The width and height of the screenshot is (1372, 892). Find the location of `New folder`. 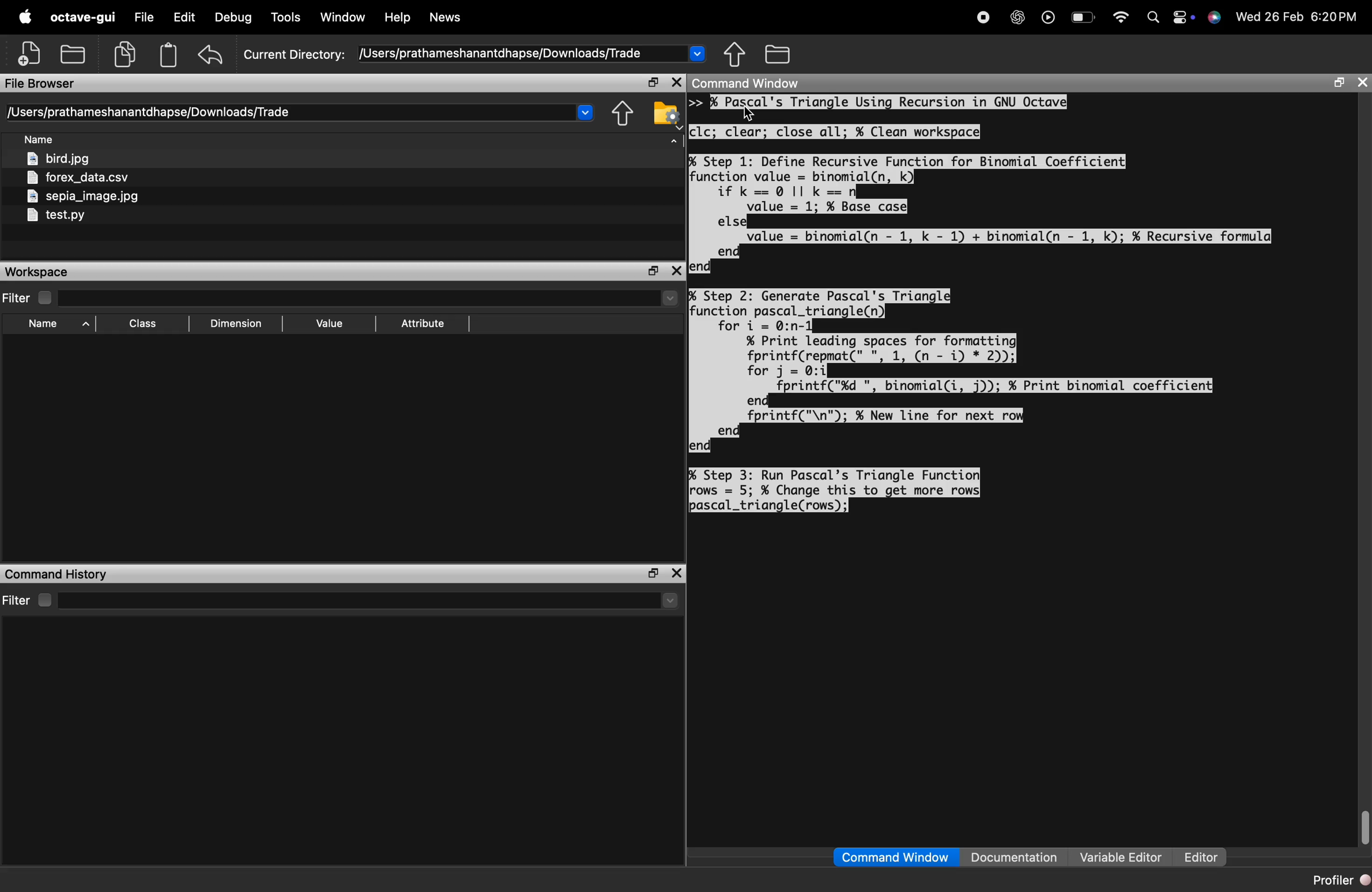

New folder is located at coordinates (72, 53).